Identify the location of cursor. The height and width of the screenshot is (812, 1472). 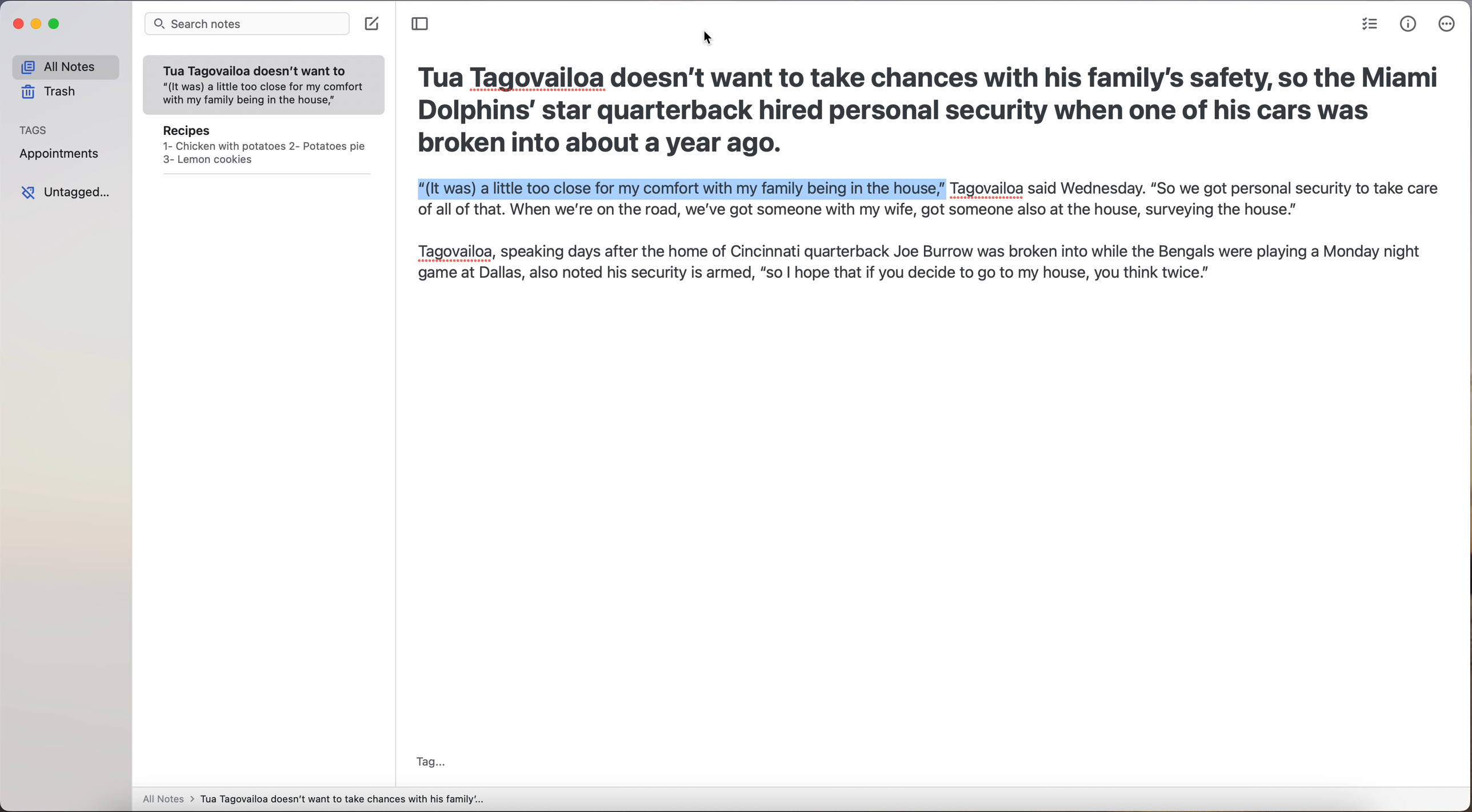
(703, 37).